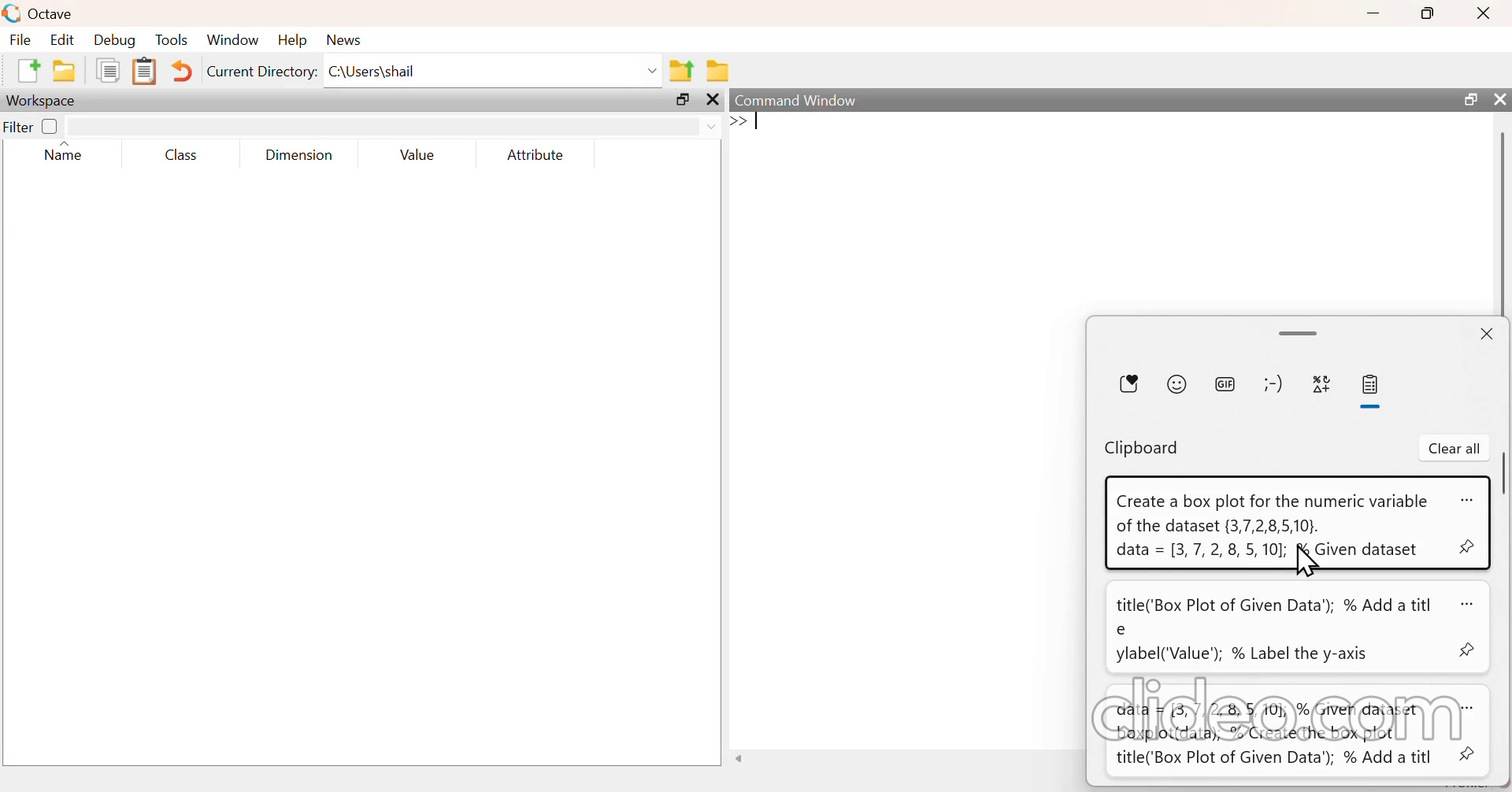 The image size is (1512, 792). Describe the element at coordinates (1488, 13) in the screenshot. I see `close` at that location.